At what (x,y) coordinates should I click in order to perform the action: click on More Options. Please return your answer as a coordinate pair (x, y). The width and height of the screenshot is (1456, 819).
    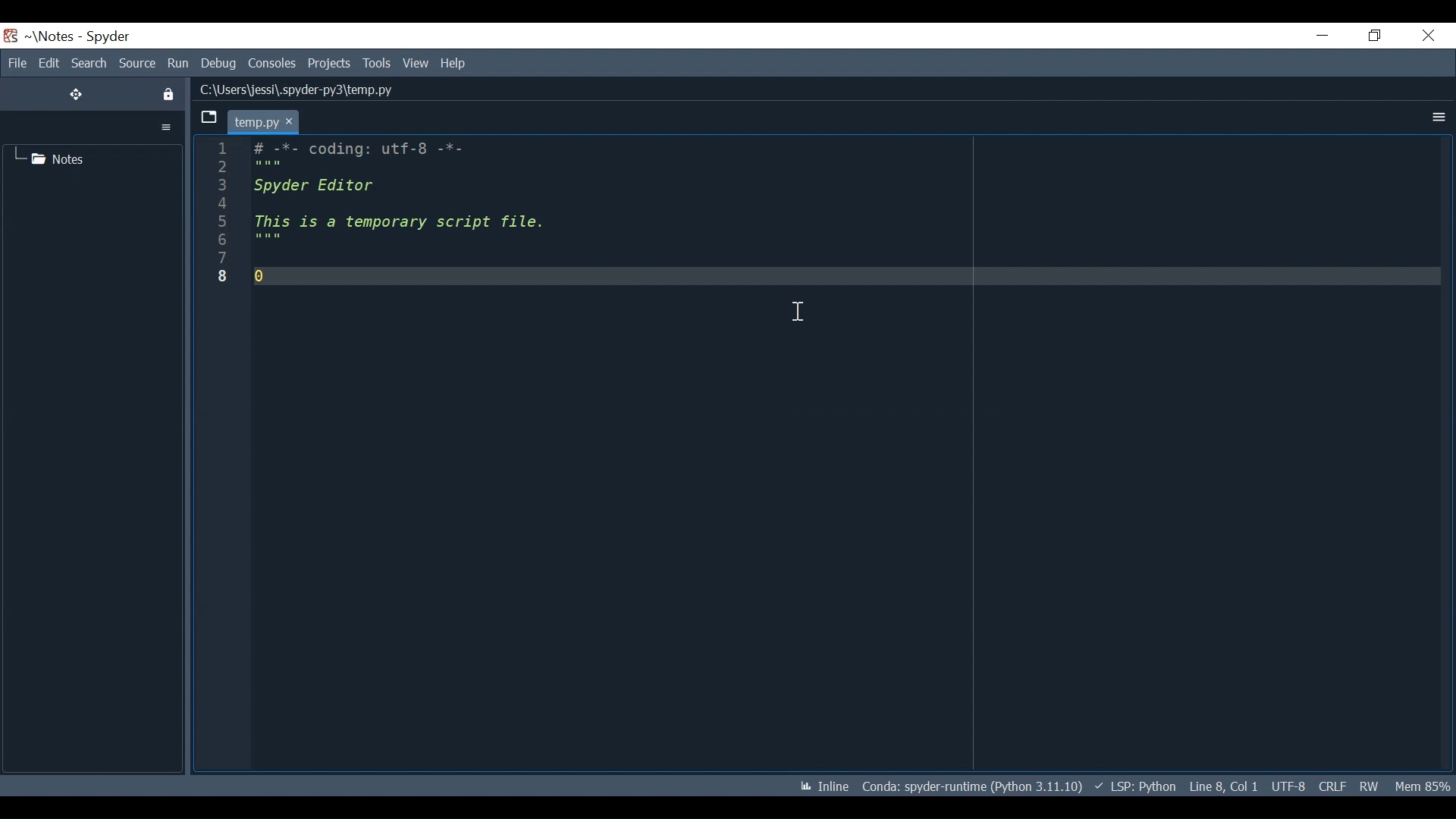
    Looking at the image, I should click on (1437, 118).